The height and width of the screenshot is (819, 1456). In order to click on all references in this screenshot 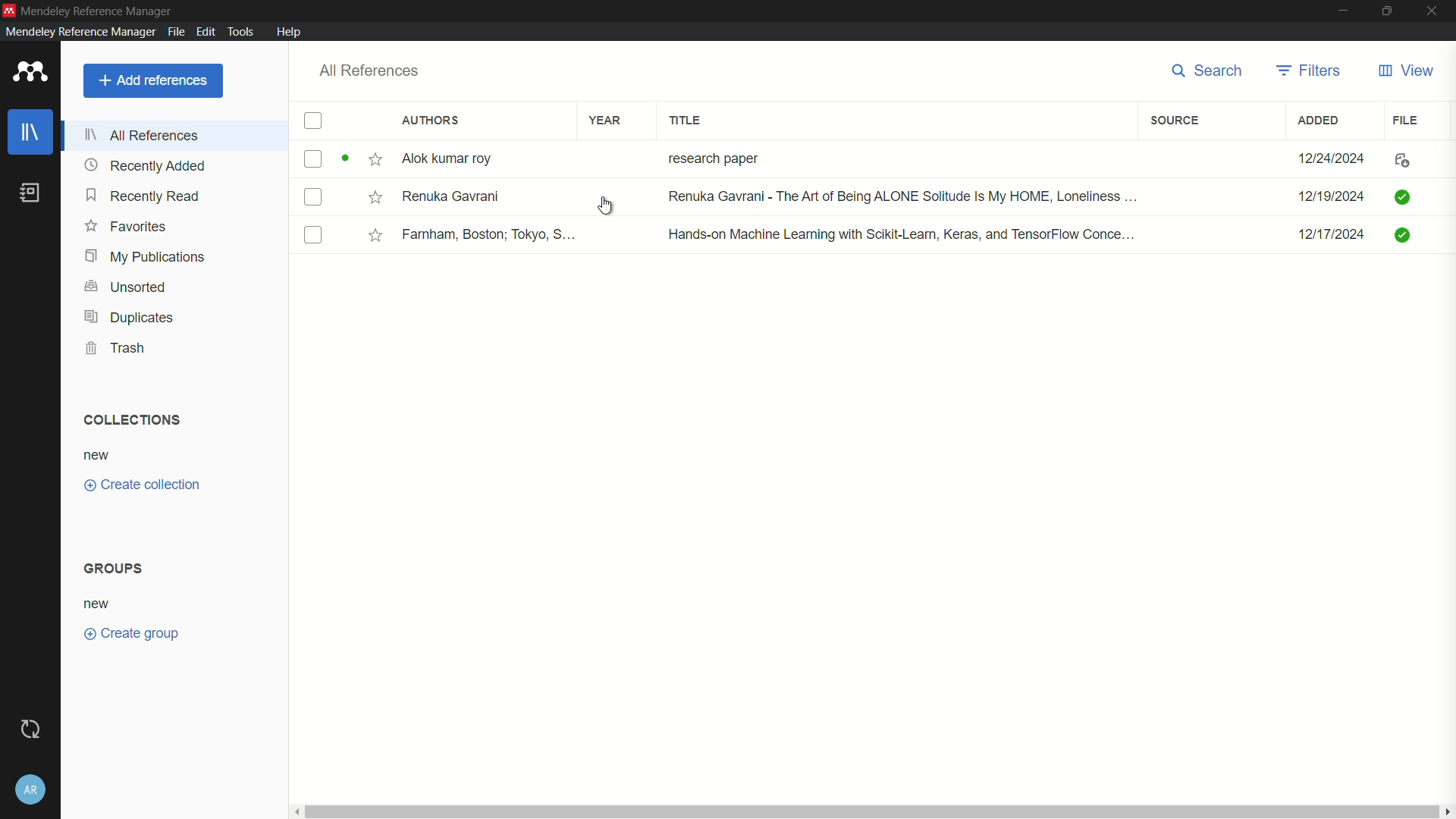, I will do `click(370, 71)`.